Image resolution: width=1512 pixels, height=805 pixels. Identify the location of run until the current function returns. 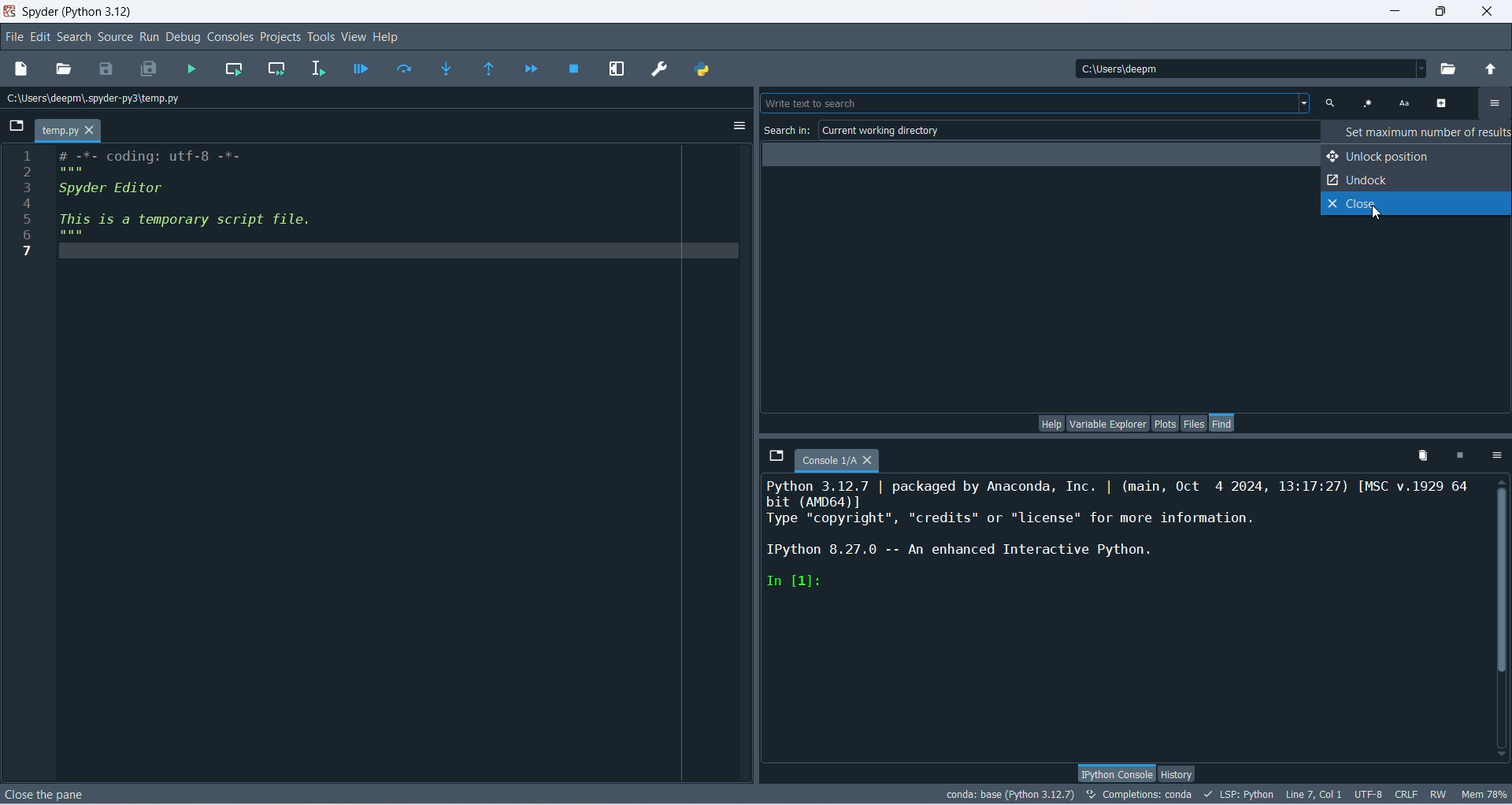
(489, 69).